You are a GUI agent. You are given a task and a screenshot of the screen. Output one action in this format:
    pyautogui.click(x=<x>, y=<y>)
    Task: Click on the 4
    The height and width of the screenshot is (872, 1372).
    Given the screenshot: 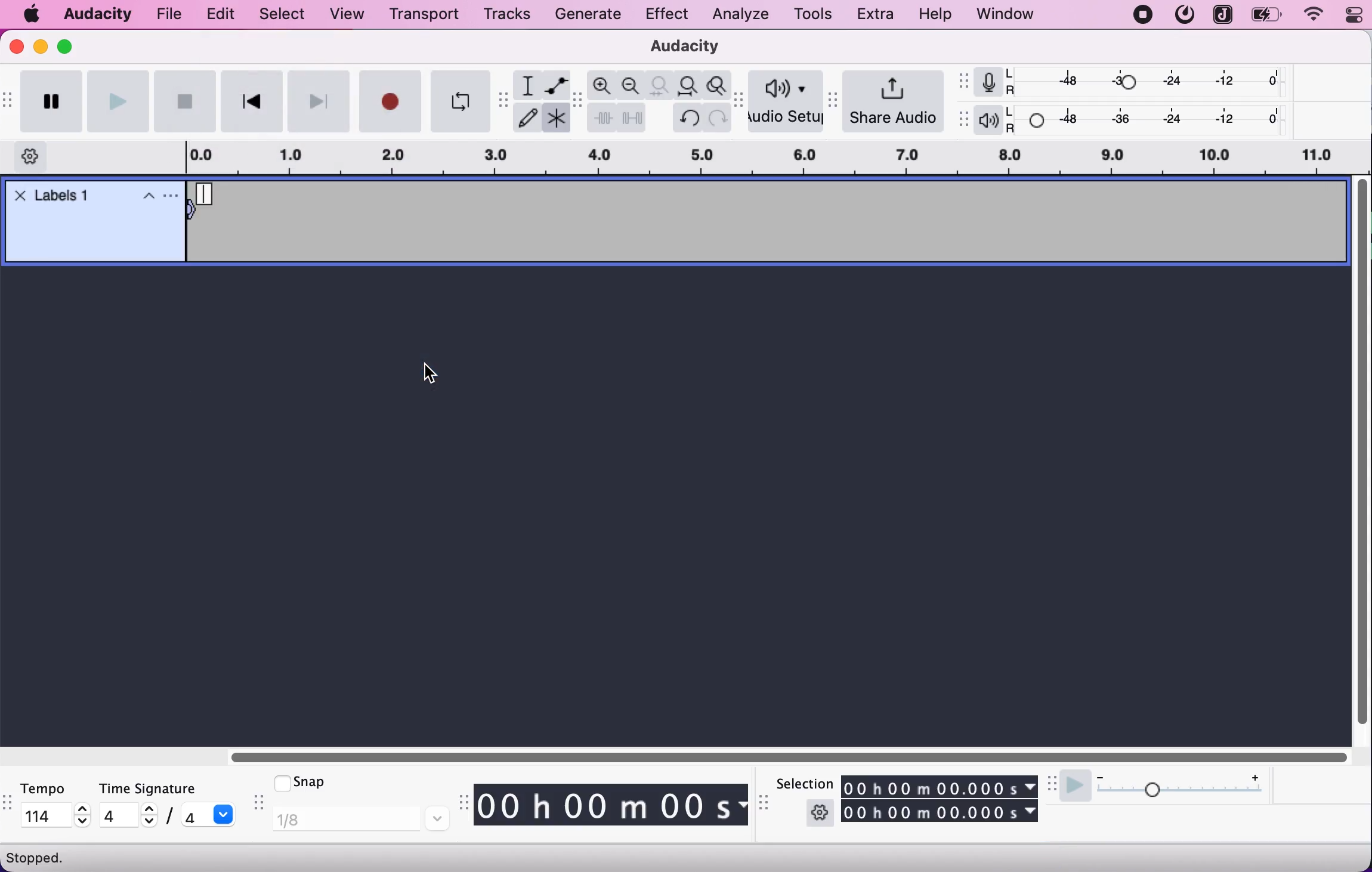 What is the action you would take?
    pyautogui.click(x=193, y=815)
    